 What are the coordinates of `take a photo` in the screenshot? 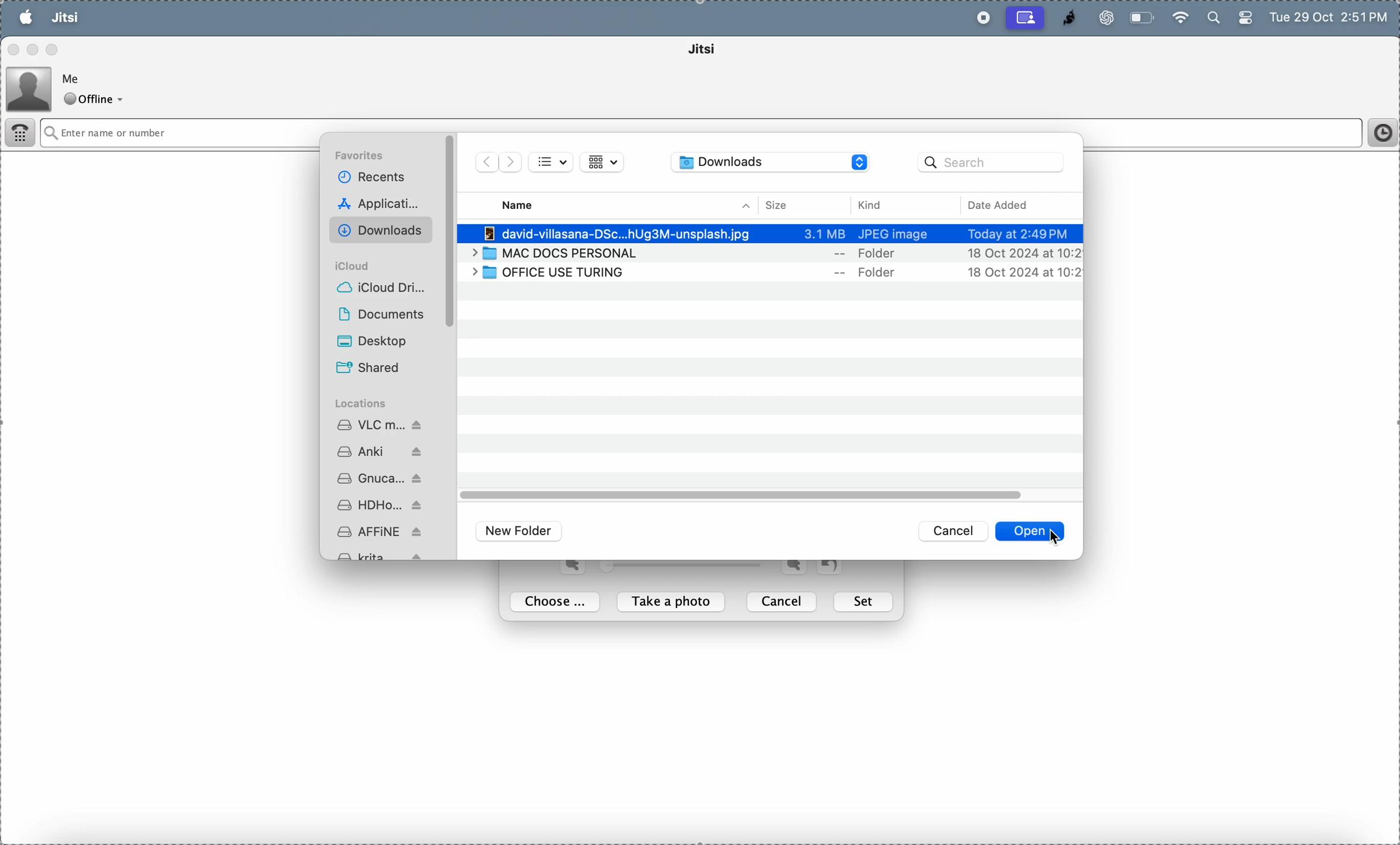 It's located at (674, 603).